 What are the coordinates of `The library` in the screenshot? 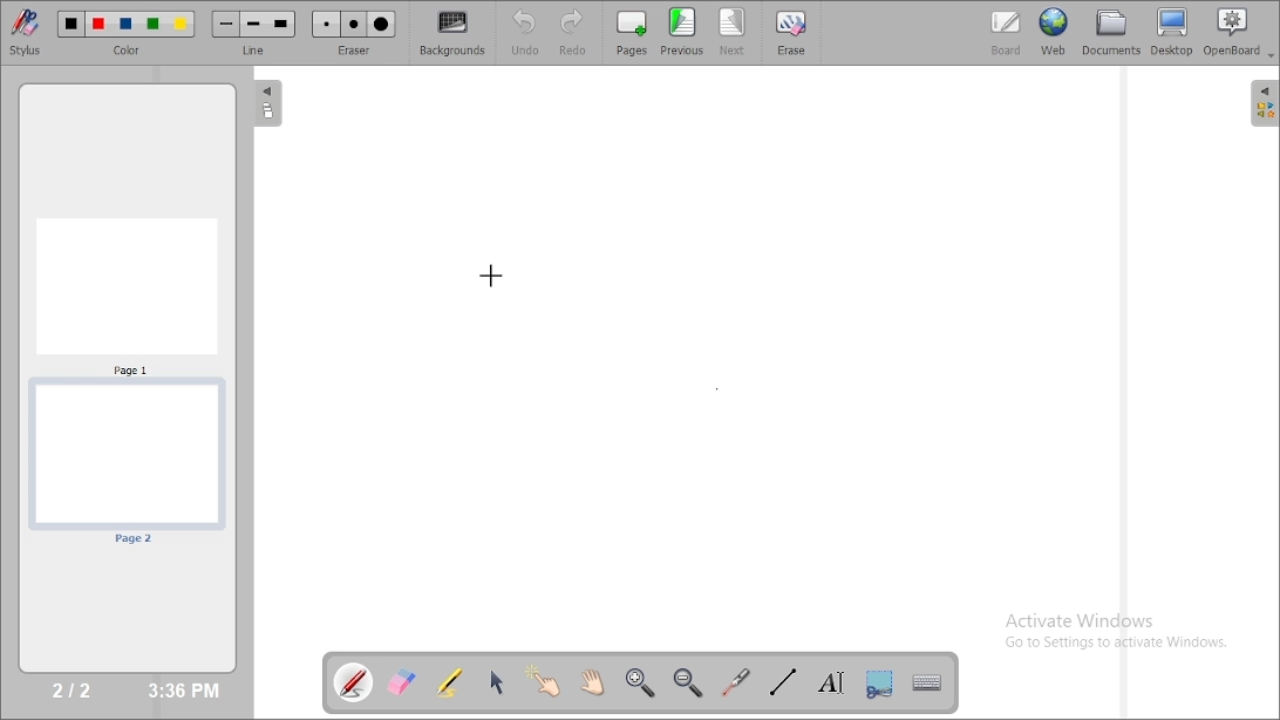 It's located at (1264, 102).